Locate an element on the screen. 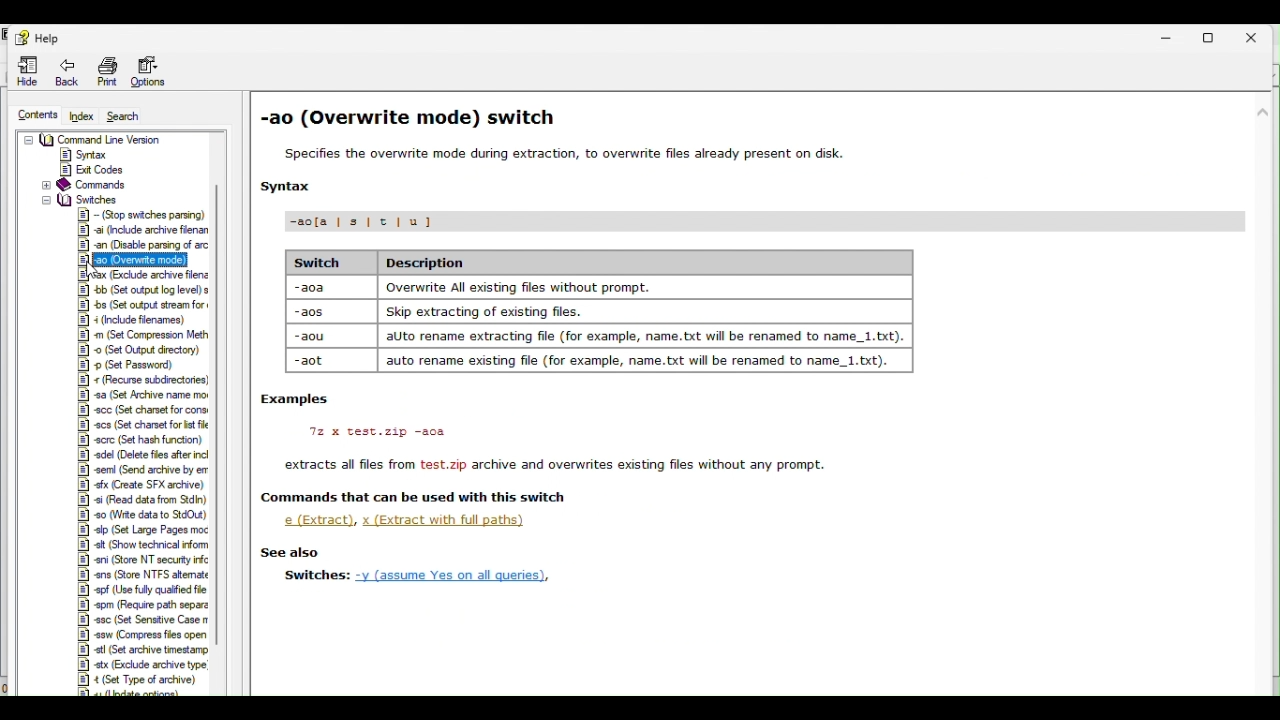  |&] m (Set Compression Meth is located at coordinates (142, 335).